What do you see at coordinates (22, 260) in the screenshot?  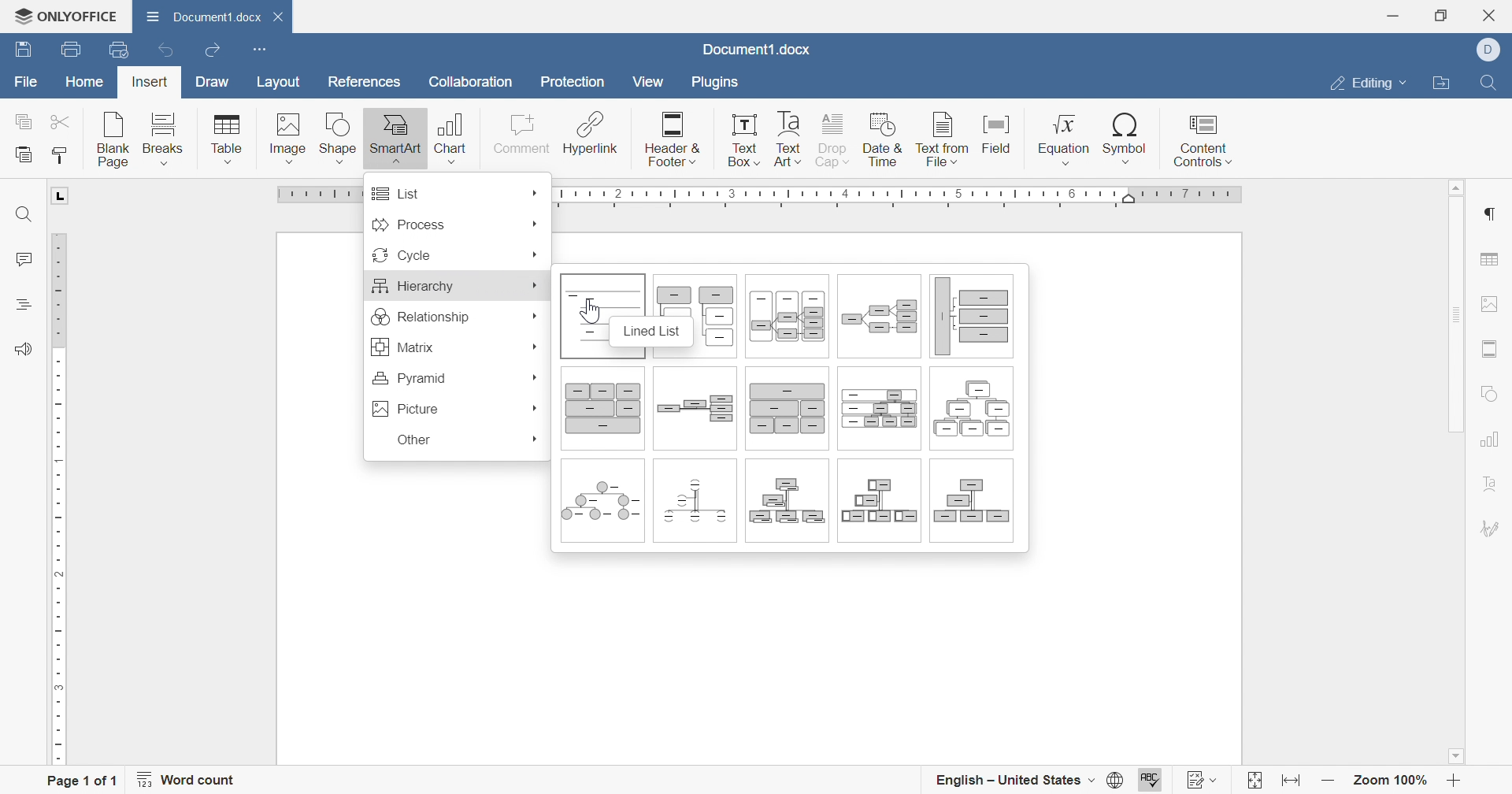 I see `Comments` at bounding box center [22, 260].